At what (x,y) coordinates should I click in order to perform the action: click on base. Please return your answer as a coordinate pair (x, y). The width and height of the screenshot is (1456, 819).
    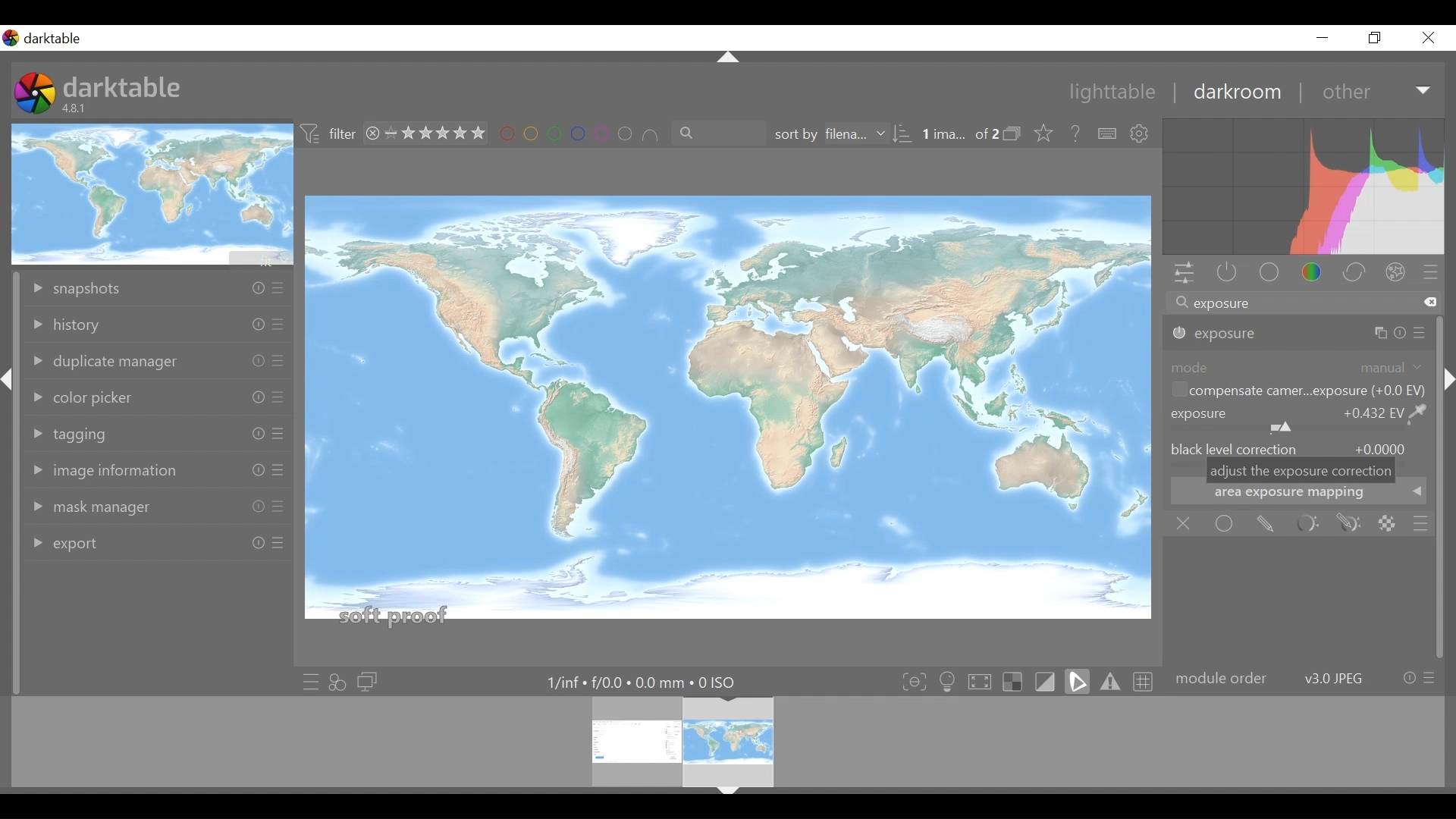
    Looking at the image, I should click on (1271, 274).